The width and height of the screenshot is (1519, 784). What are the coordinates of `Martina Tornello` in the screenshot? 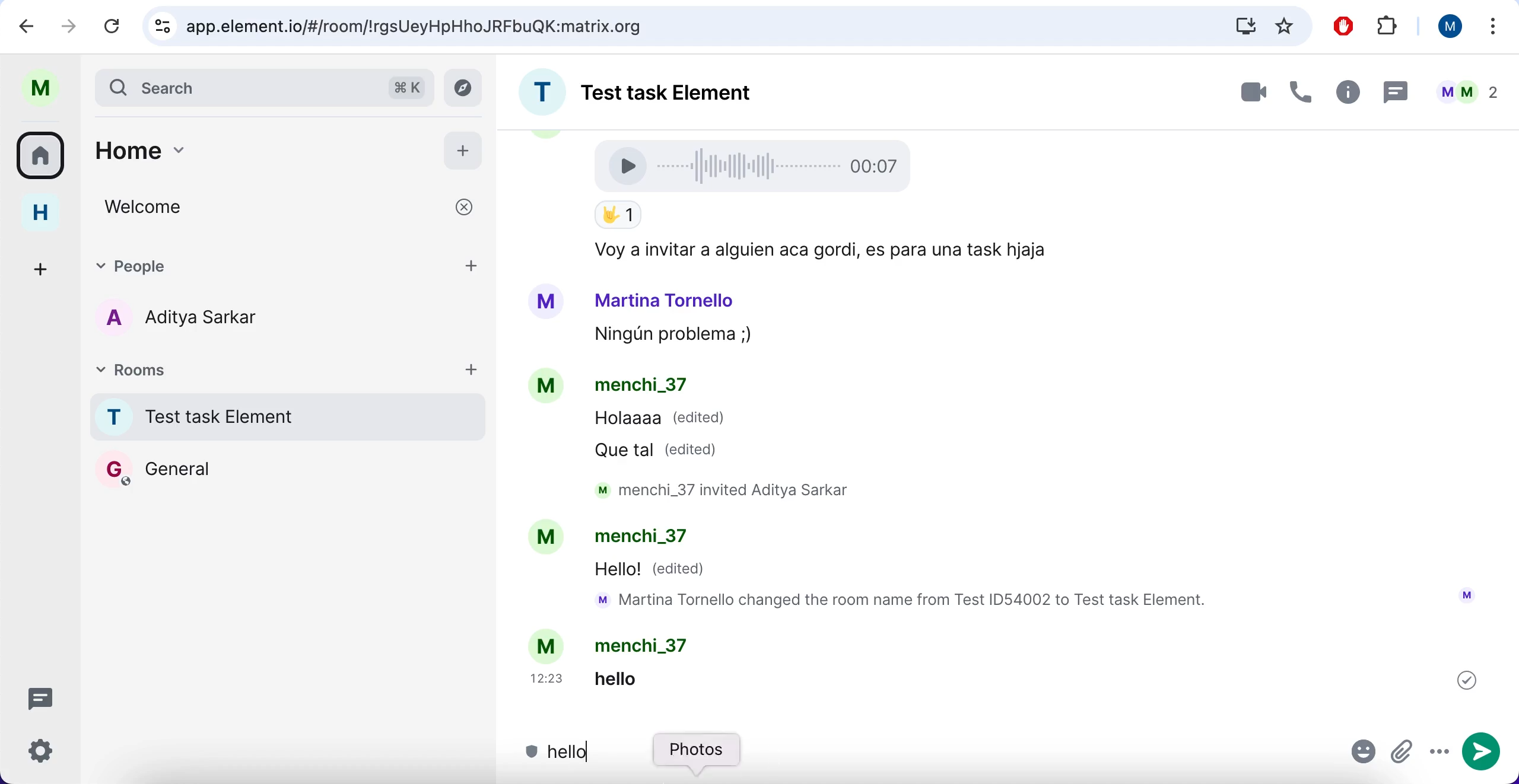 It's located at (665, 299).